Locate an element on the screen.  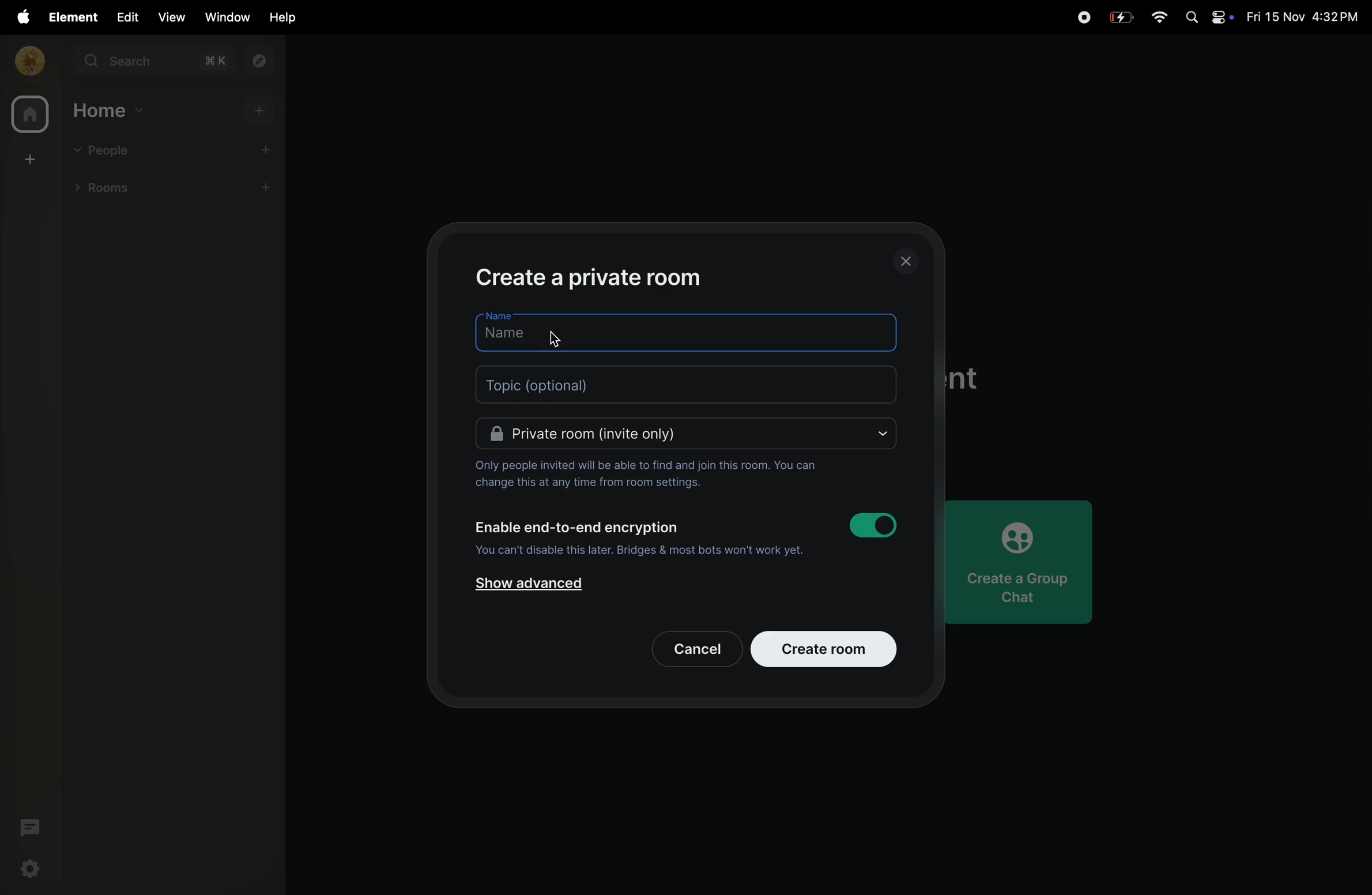
help is located at coordinates (279, 18).